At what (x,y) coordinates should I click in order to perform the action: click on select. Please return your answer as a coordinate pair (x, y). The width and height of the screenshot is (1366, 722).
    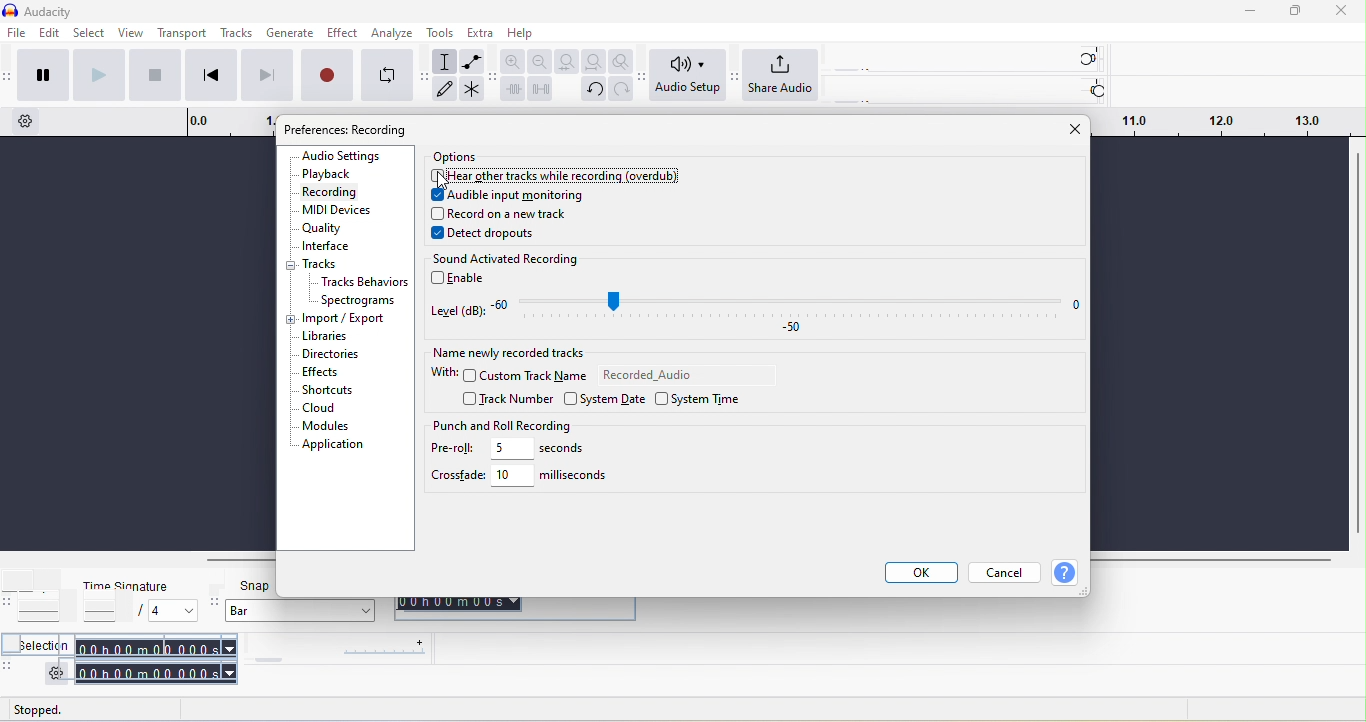
    Looking at the image, I should click on (88, 32).